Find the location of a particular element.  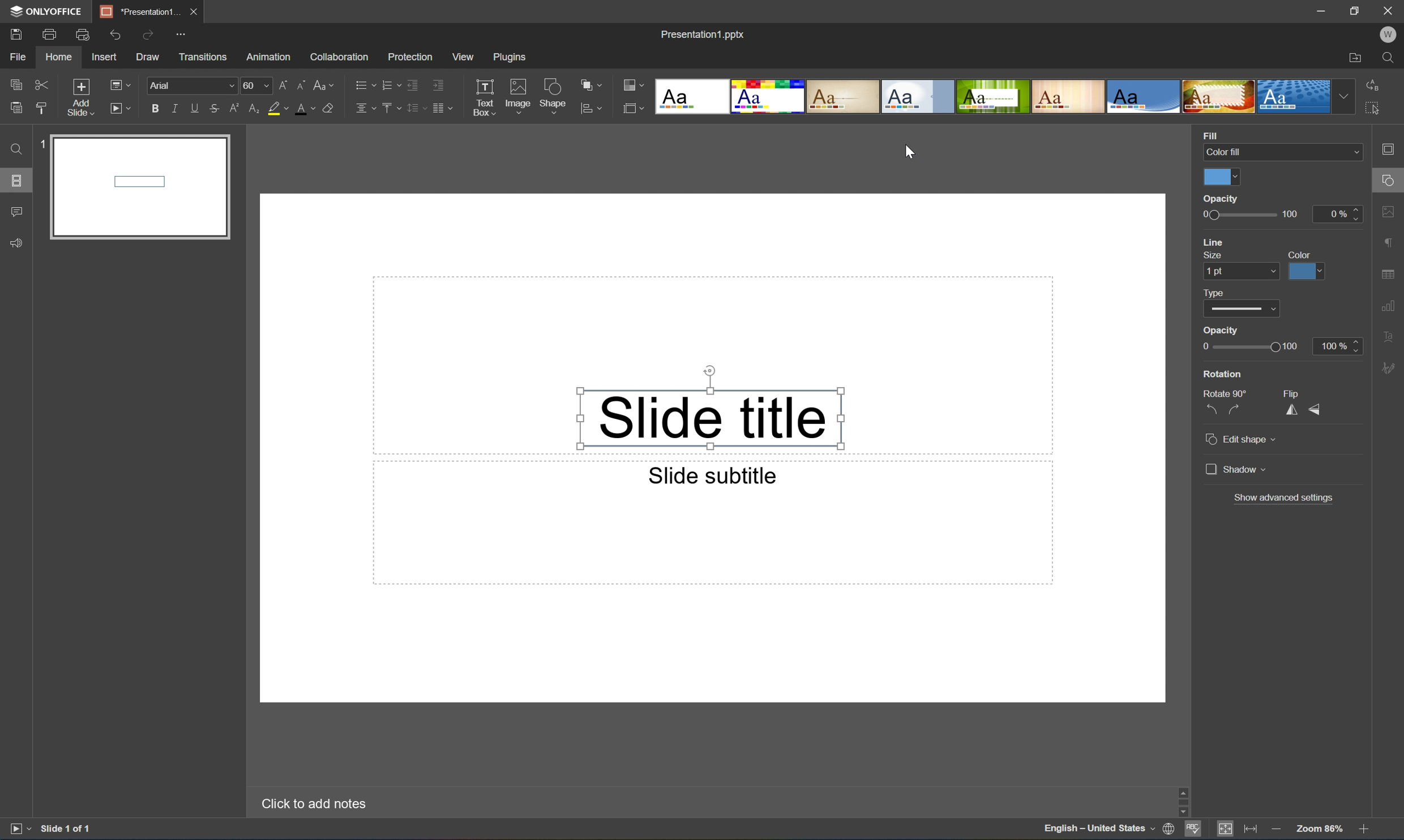

Zoom in is located at coordinates (1363, 830).